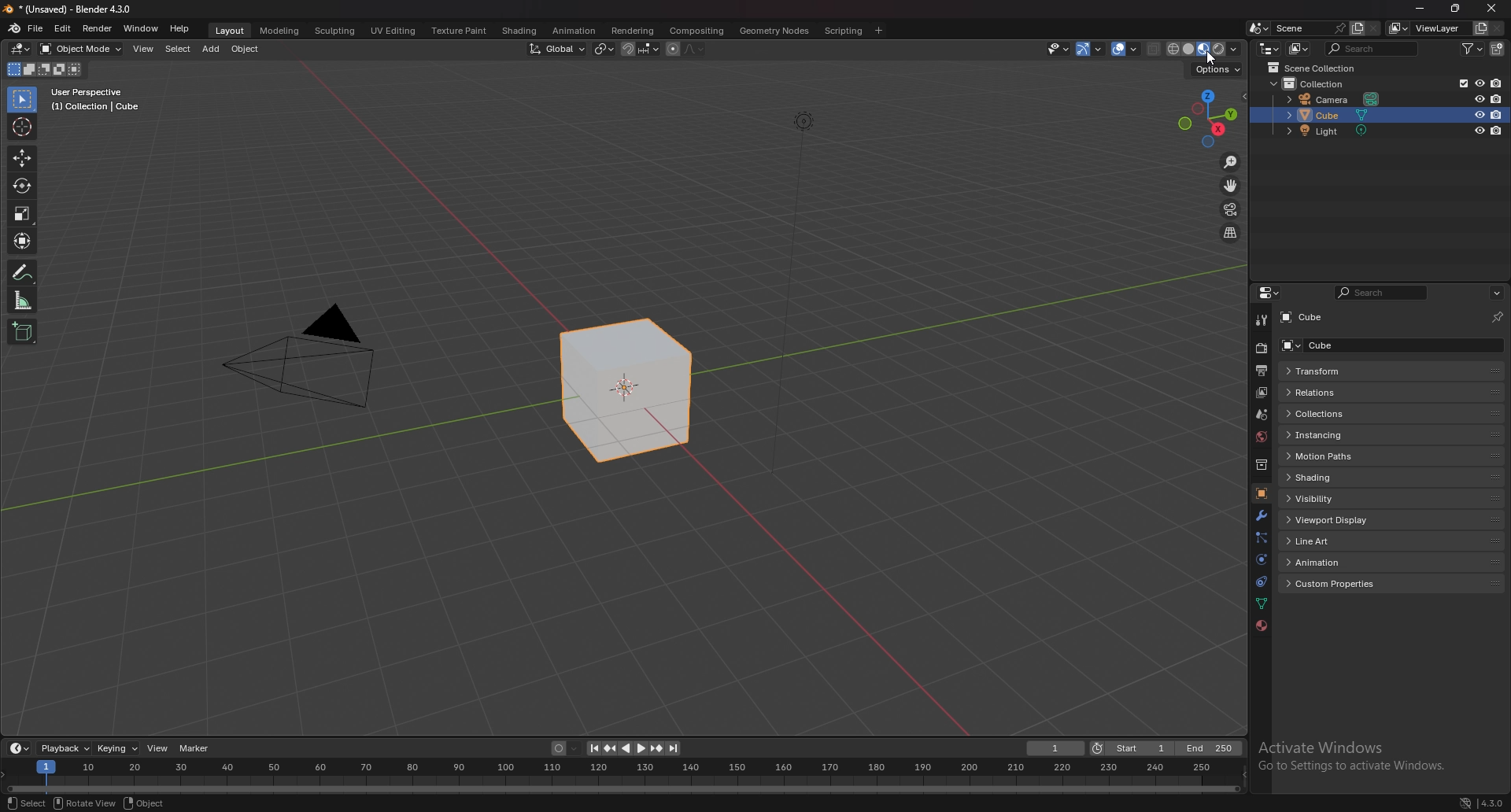 This screenshot has width=1511, height=812. What do you see at coordinates (97, 99) in the screenshot?
I see `info` at bounding box center [97, 99].